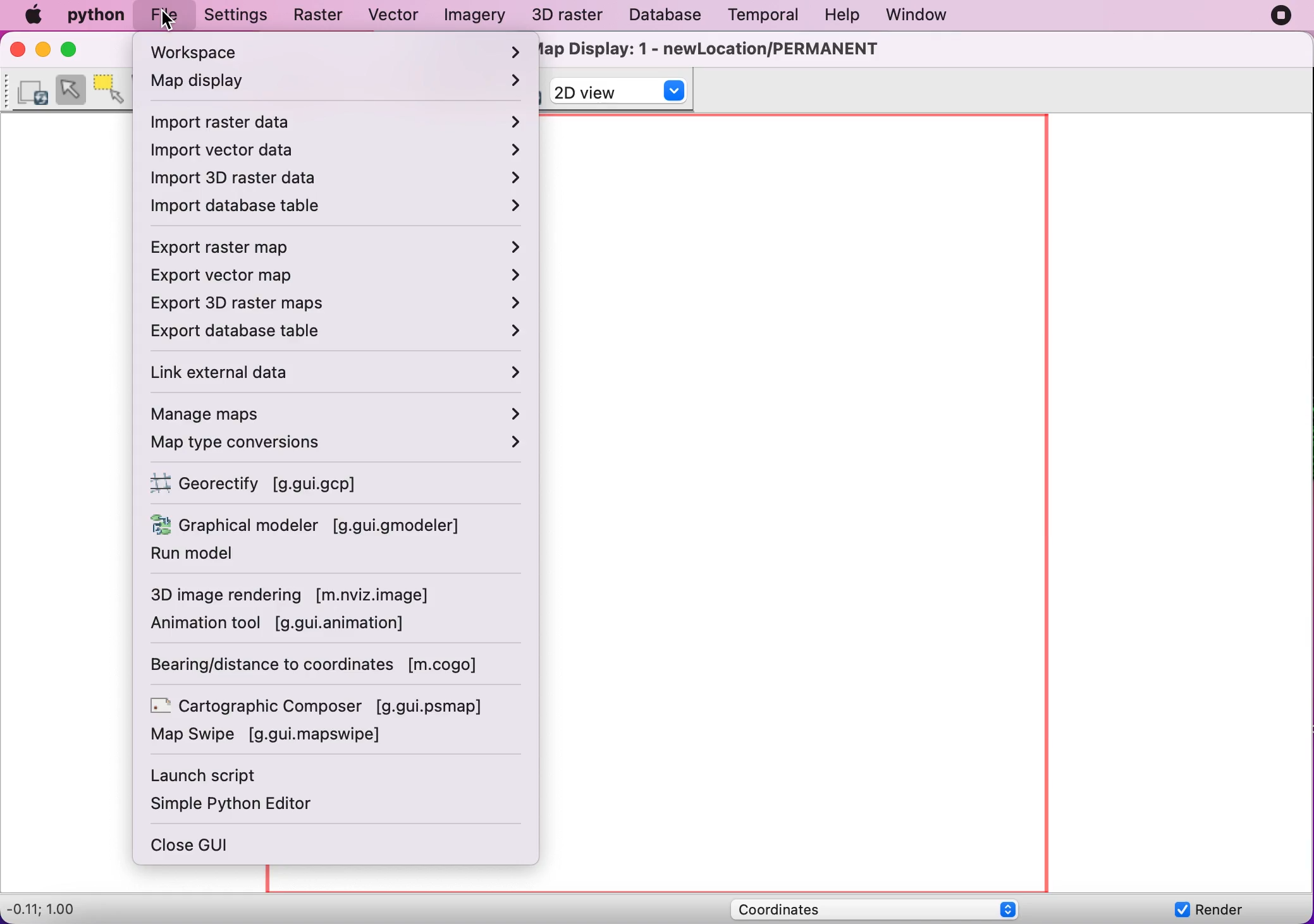 Image resolution: width=1314 pixels, height=924 pixels. Describe the element at coordinates (67, 909) in the screenshot. I see `-0.11;1.00` at that location.